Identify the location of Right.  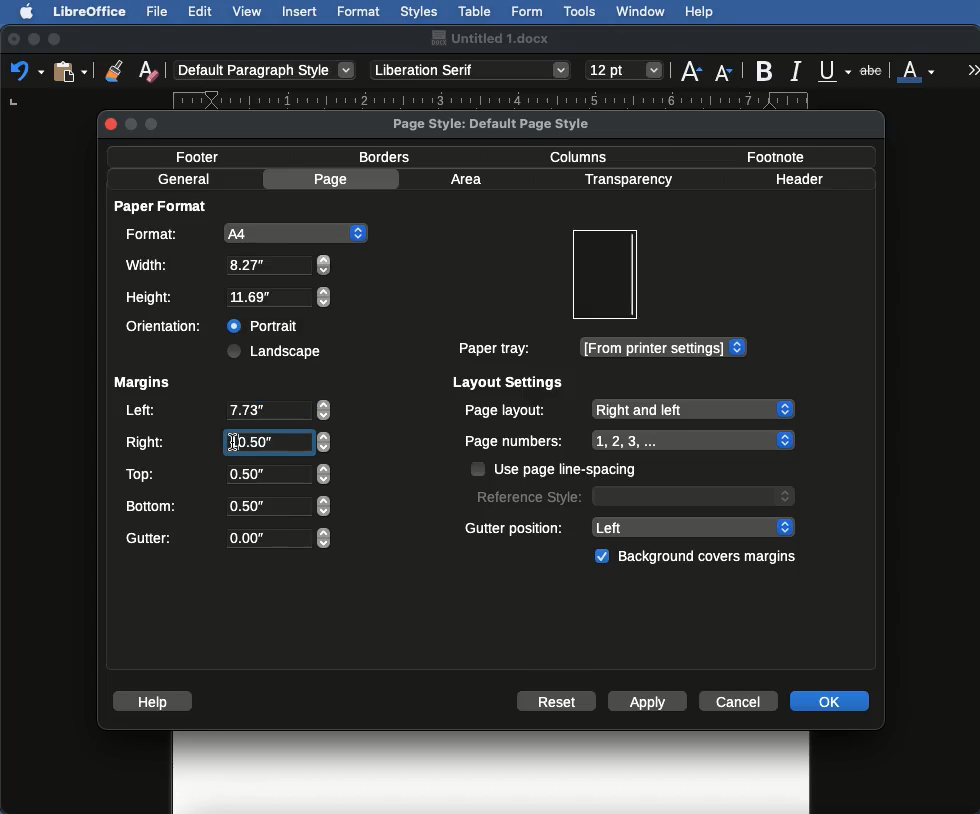
(226, 443).